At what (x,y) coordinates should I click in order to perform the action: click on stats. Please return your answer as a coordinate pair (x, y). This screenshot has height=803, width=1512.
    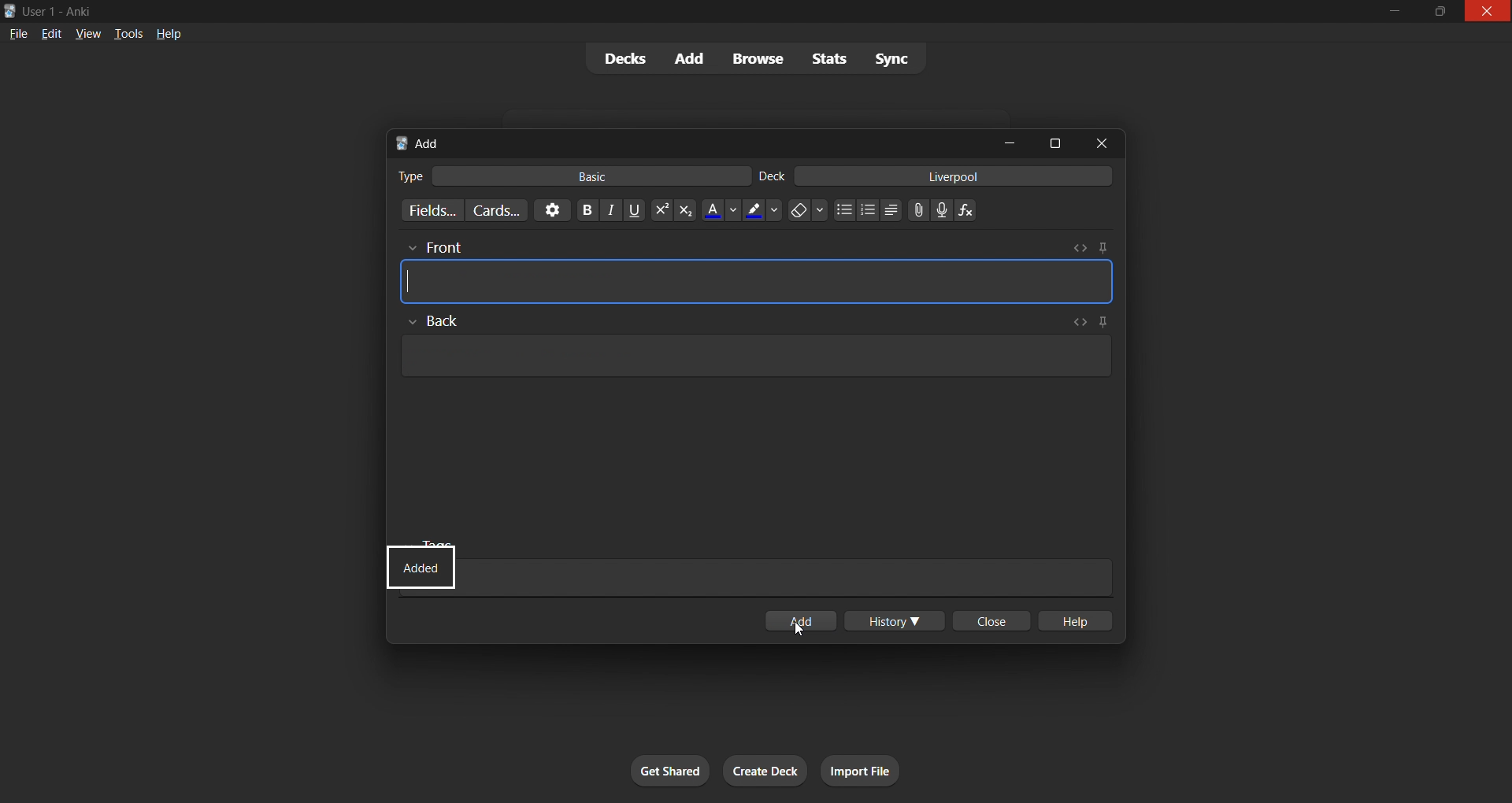
    Looking at the image, I should click on (830, 60).